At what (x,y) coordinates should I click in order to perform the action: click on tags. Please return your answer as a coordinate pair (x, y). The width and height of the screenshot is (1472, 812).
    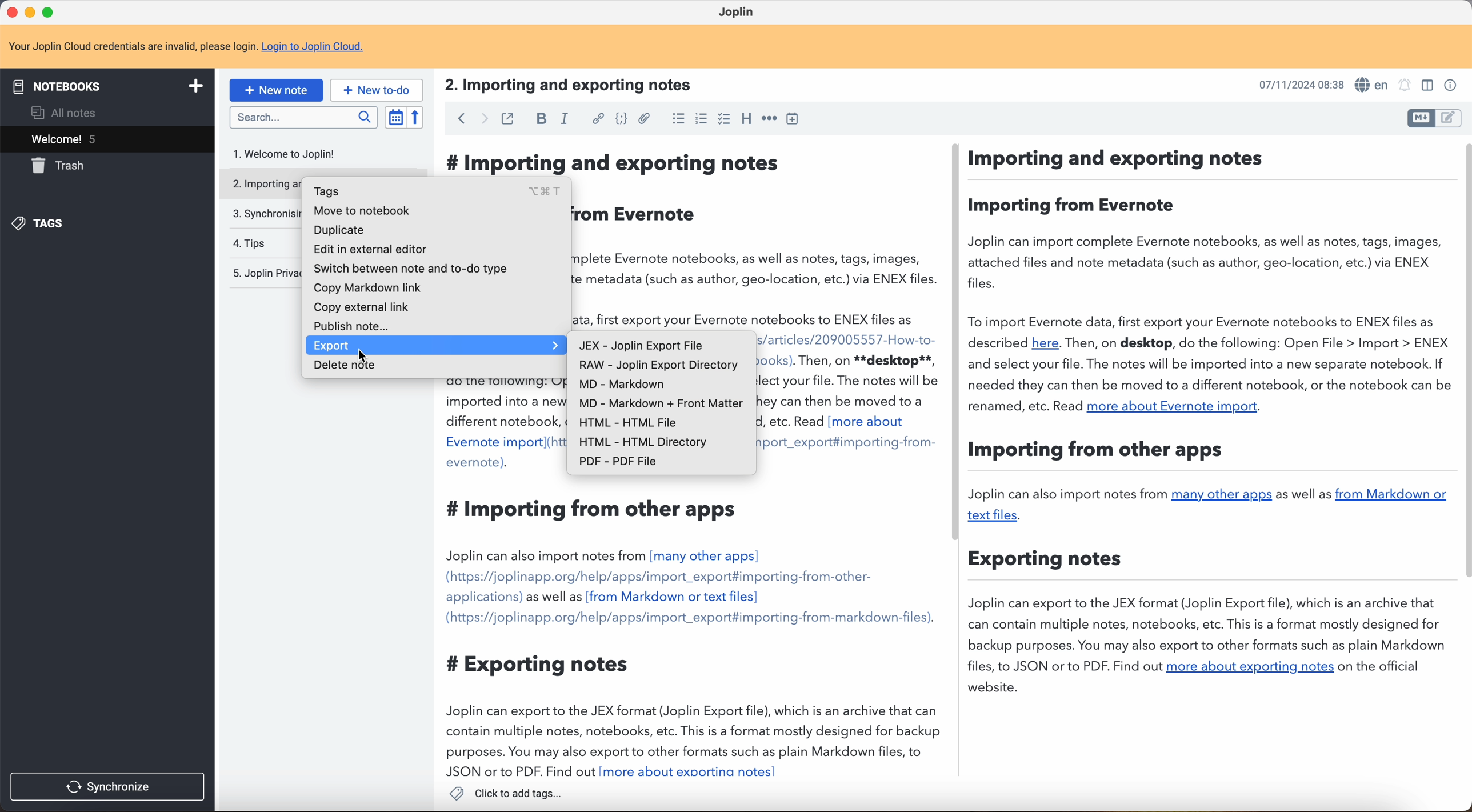
    Looking at the image, I should click on (438, 191).